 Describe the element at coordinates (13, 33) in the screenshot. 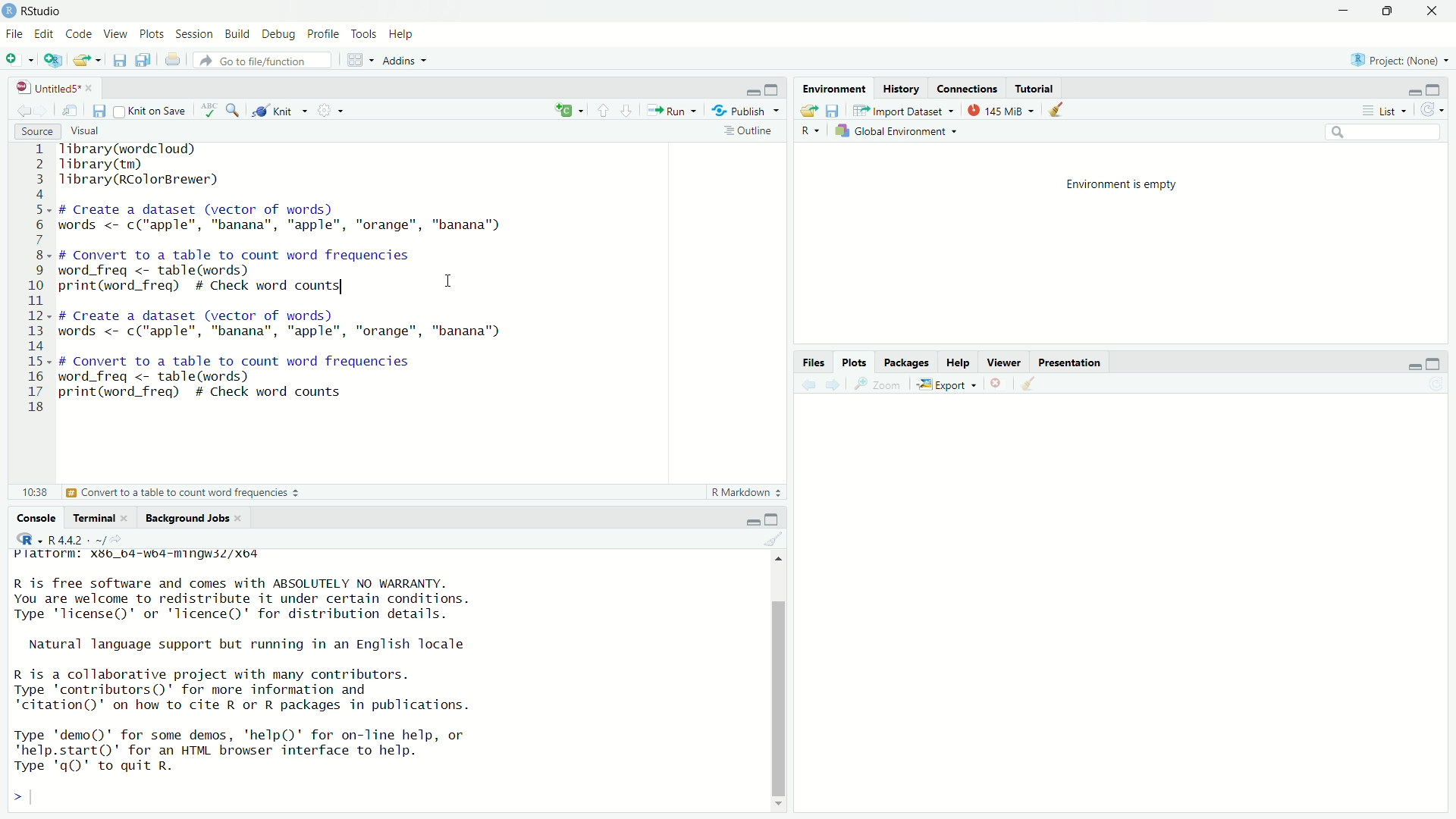

I see `File` at that location.